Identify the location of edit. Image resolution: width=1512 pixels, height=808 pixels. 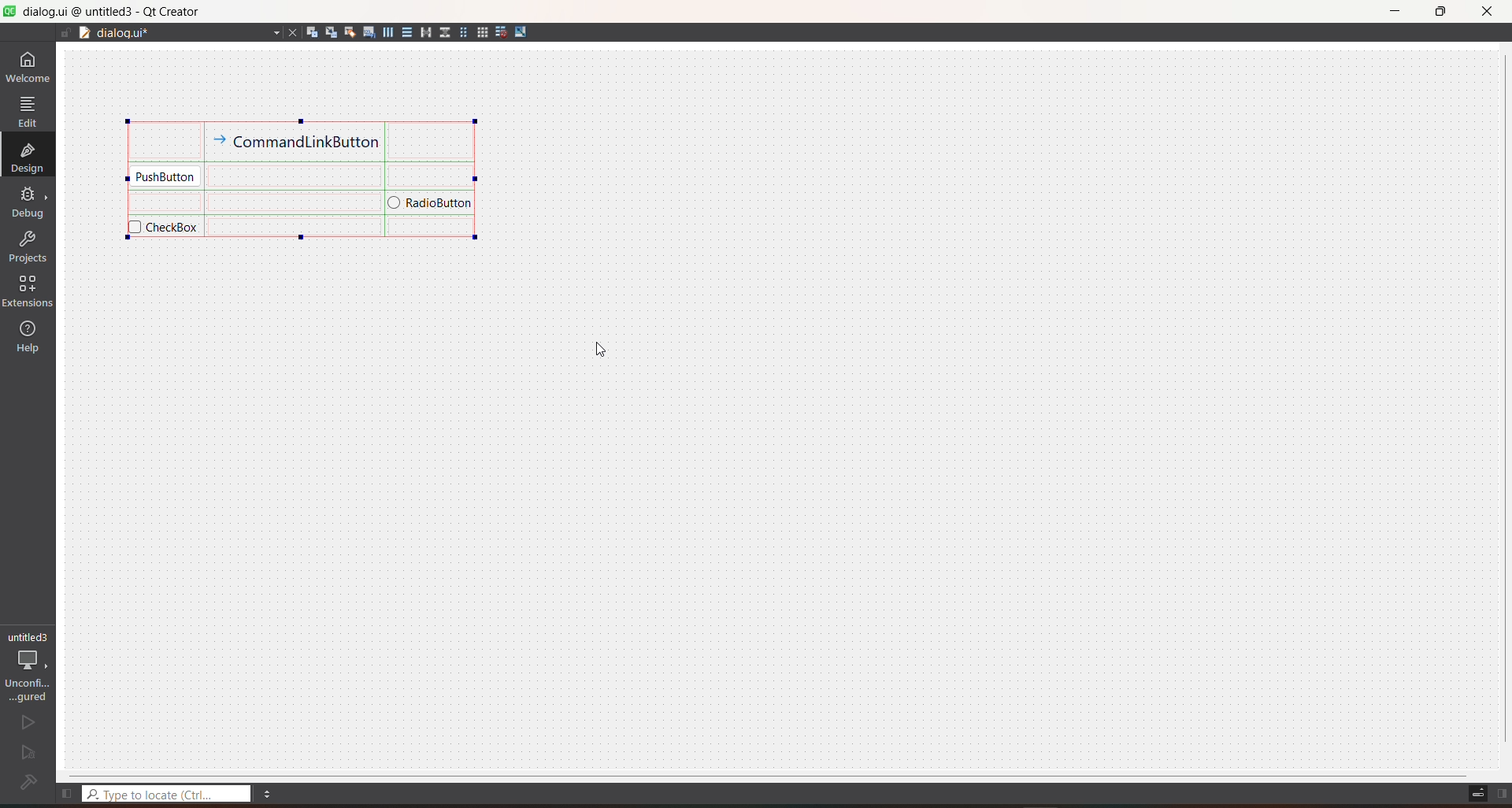
(27, 113).